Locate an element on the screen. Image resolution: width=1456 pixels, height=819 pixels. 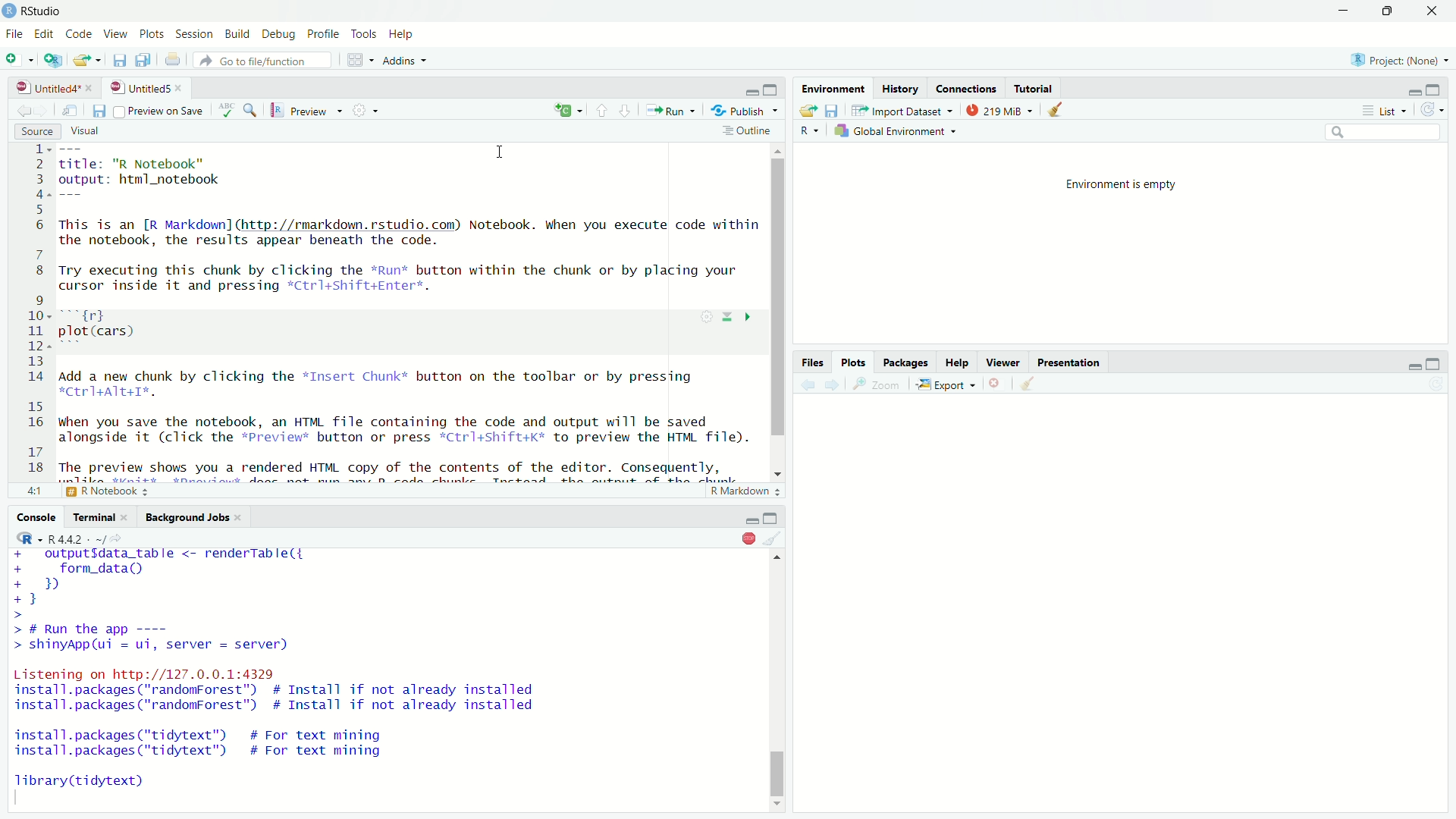
Help is located at coordinates (401, 34).